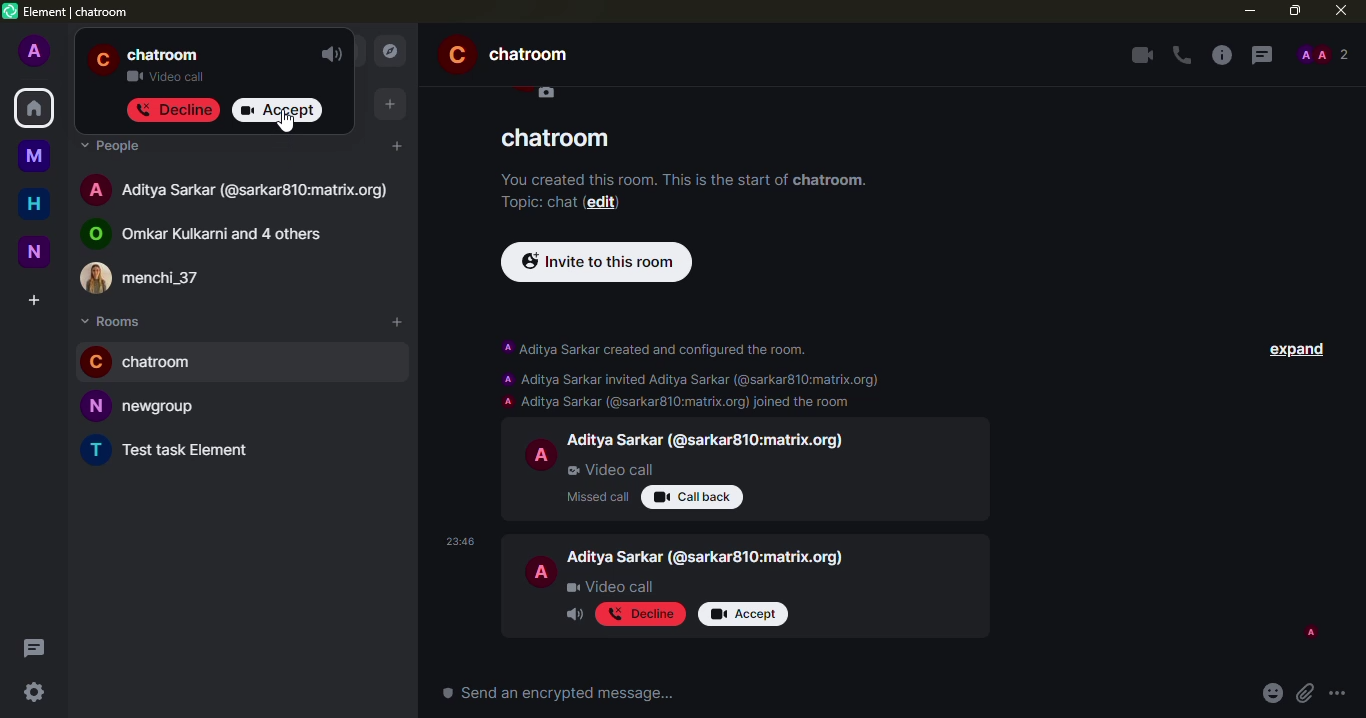 The width and height of the screenshot is (1366, 718). What do you see at coordinates (560, 137) in the screenshot?
I see `chatroom` at bounding box center [560, 137].